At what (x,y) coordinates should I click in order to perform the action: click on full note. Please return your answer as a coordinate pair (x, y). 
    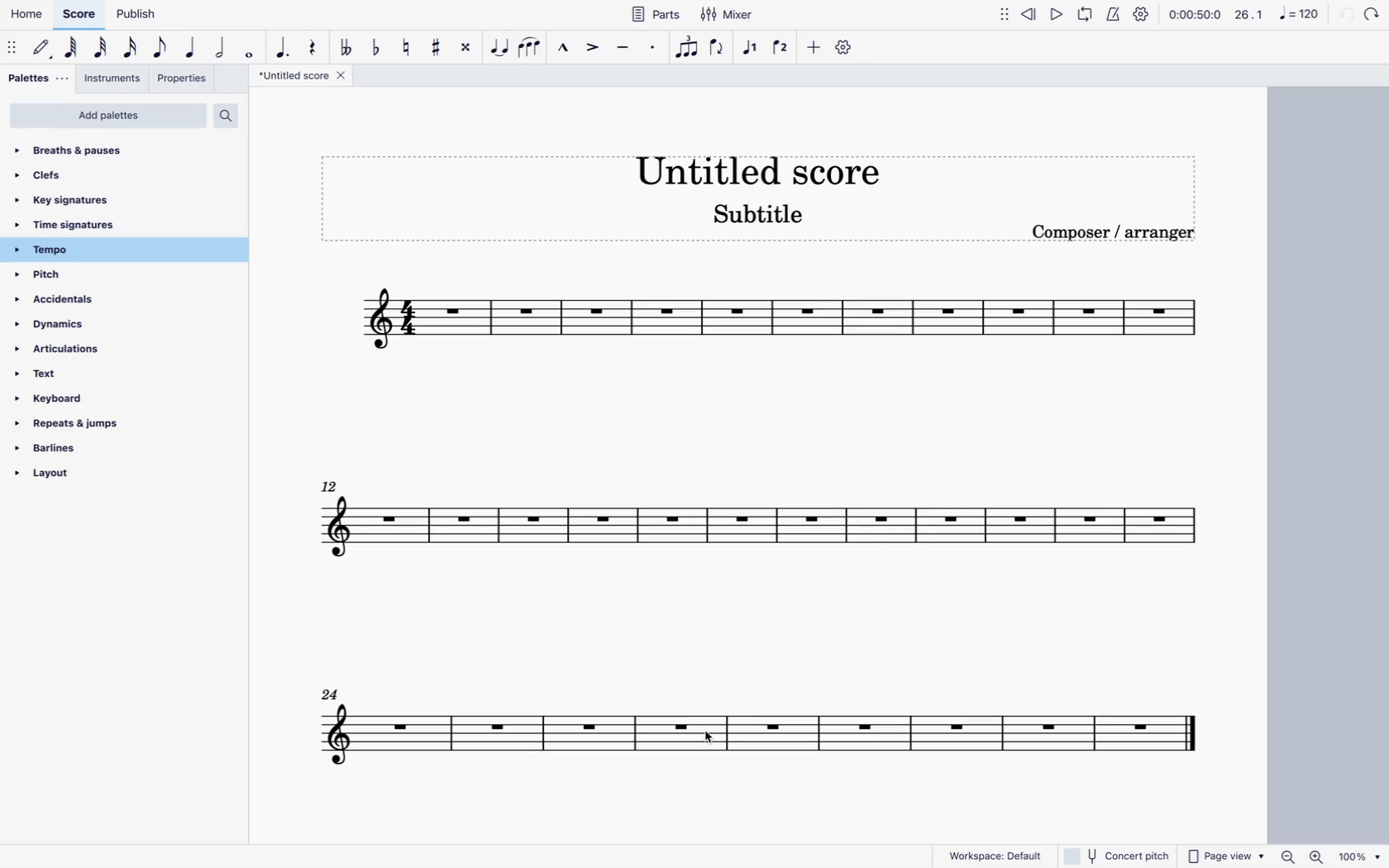
    Looking at the image, I should click on (250, 48).